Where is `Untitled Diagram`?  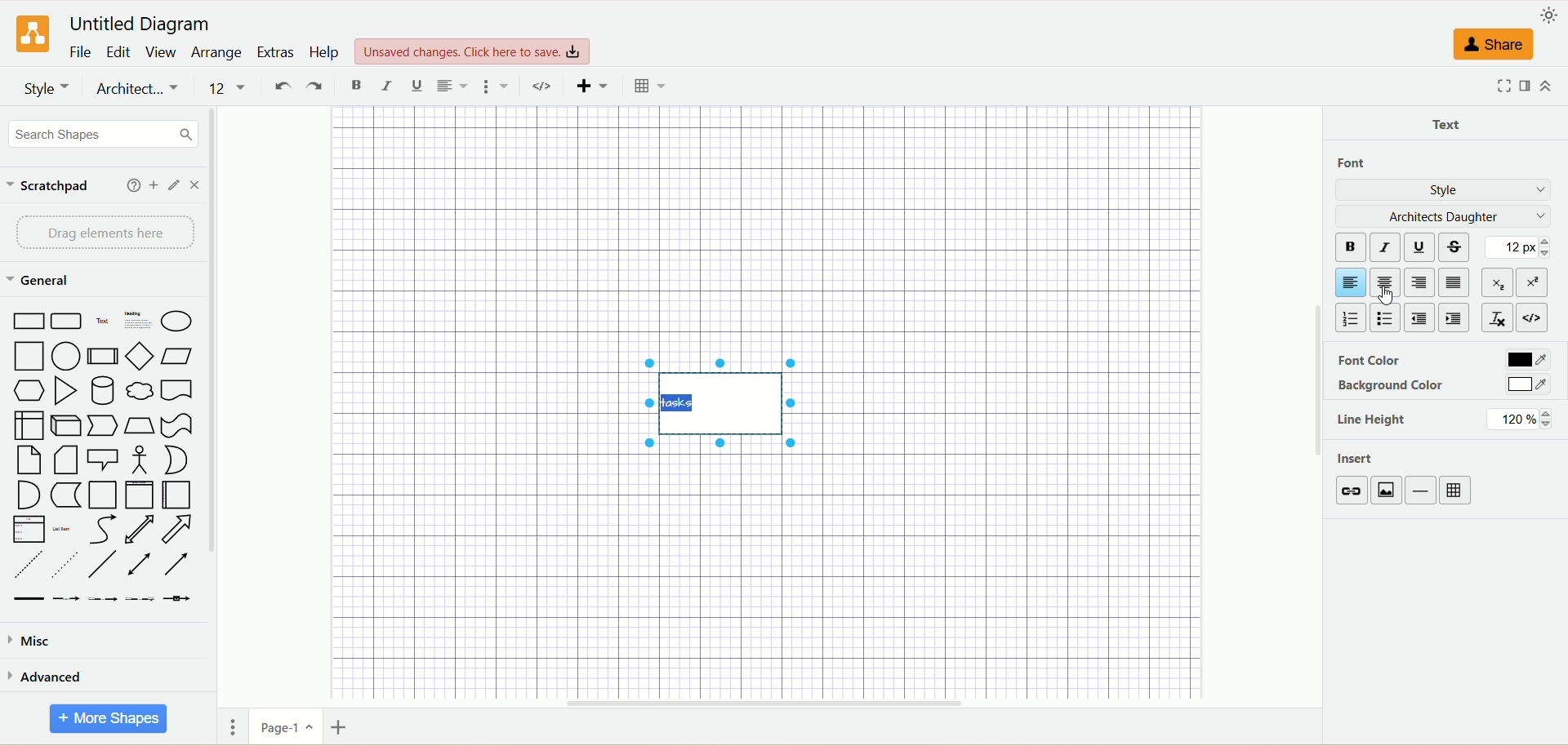 Untitled Diagram is located at coordinates (141, 26).